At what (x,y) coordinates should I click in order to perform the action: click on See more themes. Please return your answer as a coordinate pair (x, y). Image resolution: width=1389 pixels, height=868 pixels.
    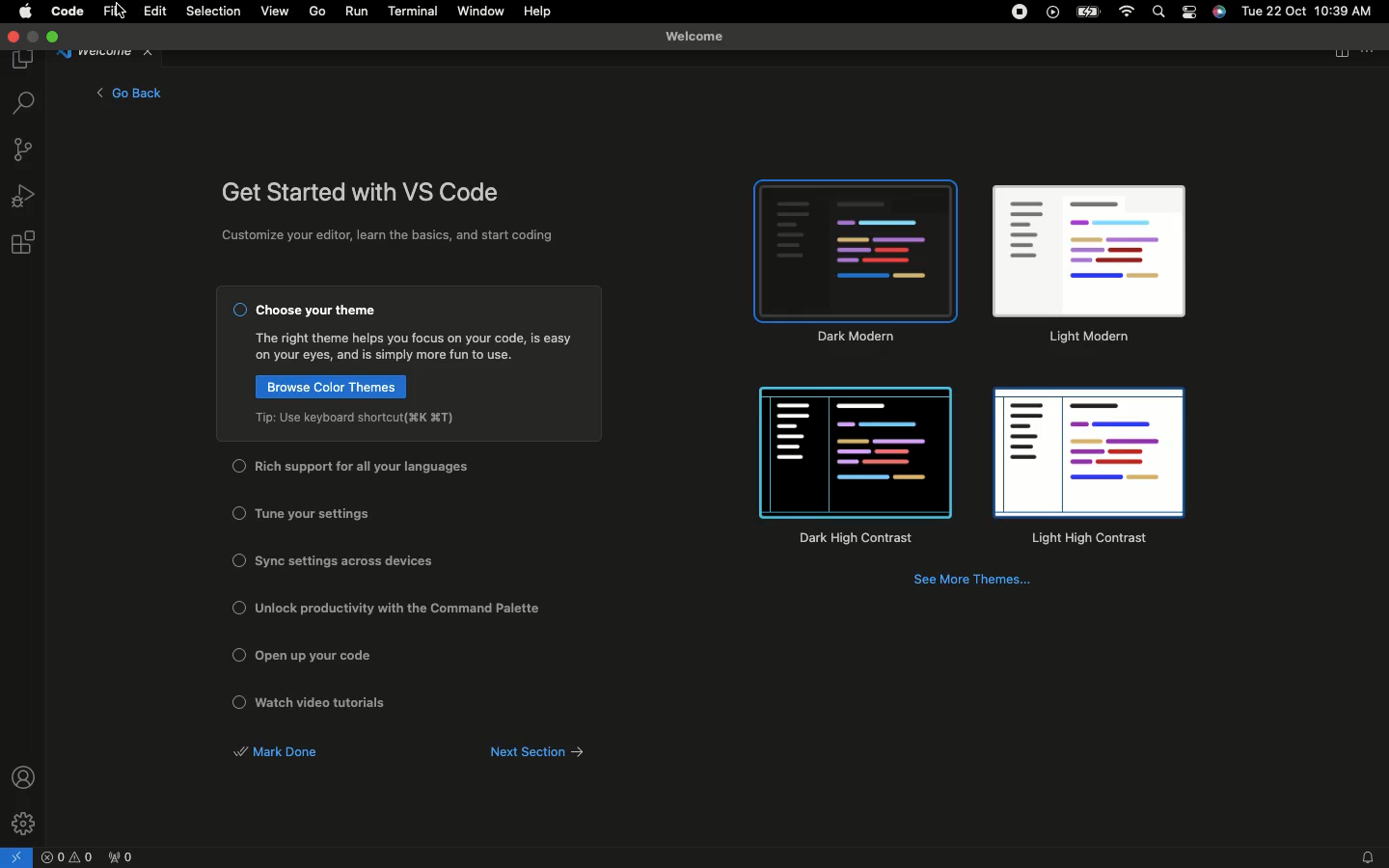
    Looking at the image, I should click on (975, 583).